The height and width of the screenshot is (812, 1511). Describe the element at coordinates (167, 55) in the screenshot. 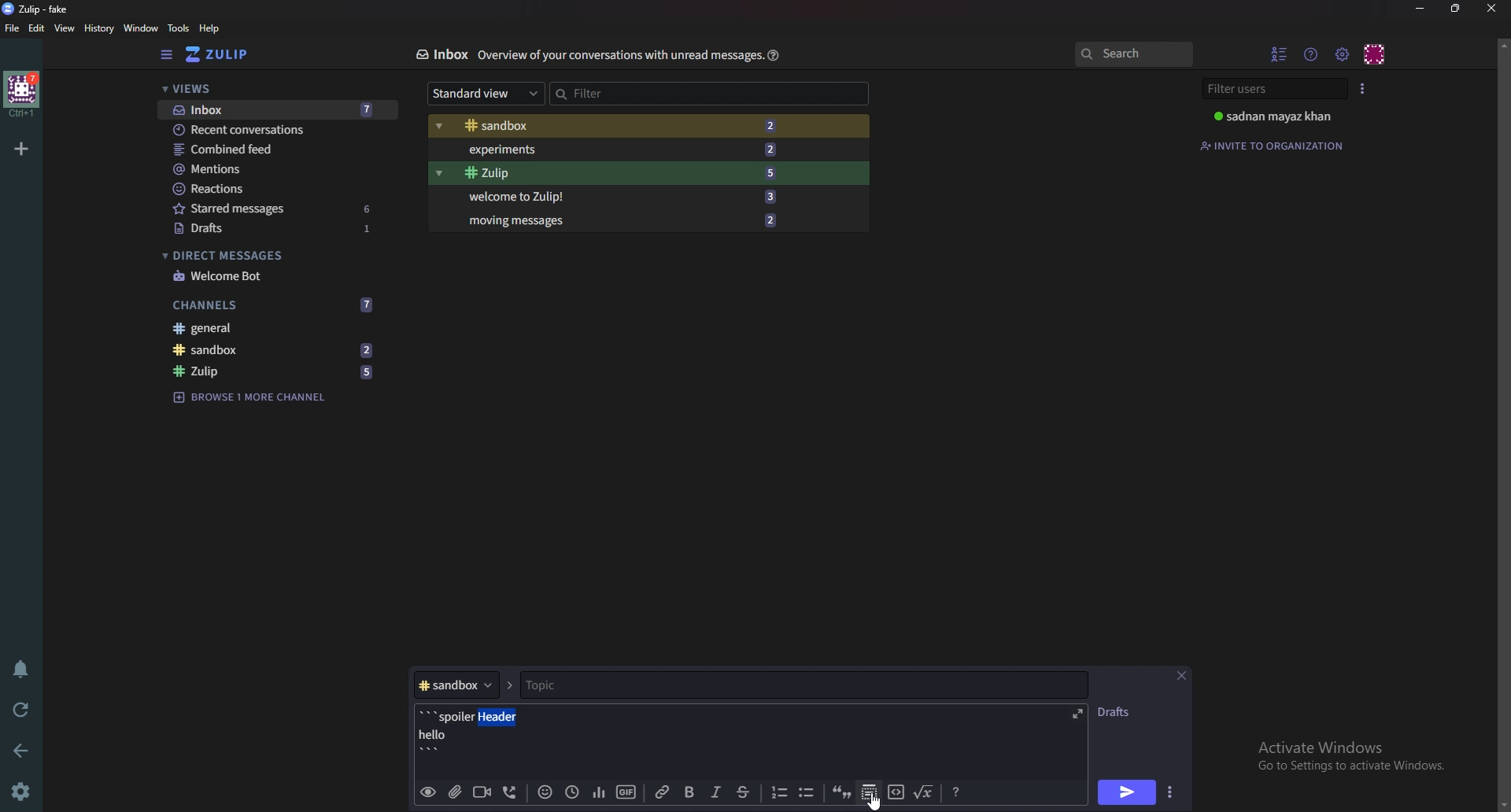

I see `Hide sidebar` at that location.